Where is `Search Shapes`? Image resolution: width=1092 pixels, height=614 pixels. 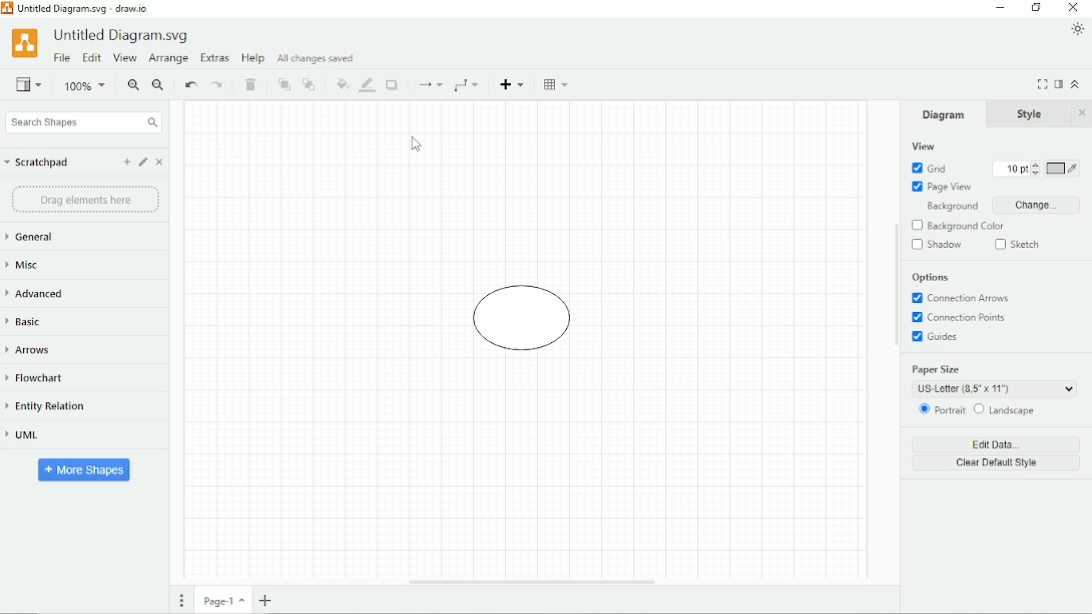
Search Shapes is located at coordinates (82, 122).